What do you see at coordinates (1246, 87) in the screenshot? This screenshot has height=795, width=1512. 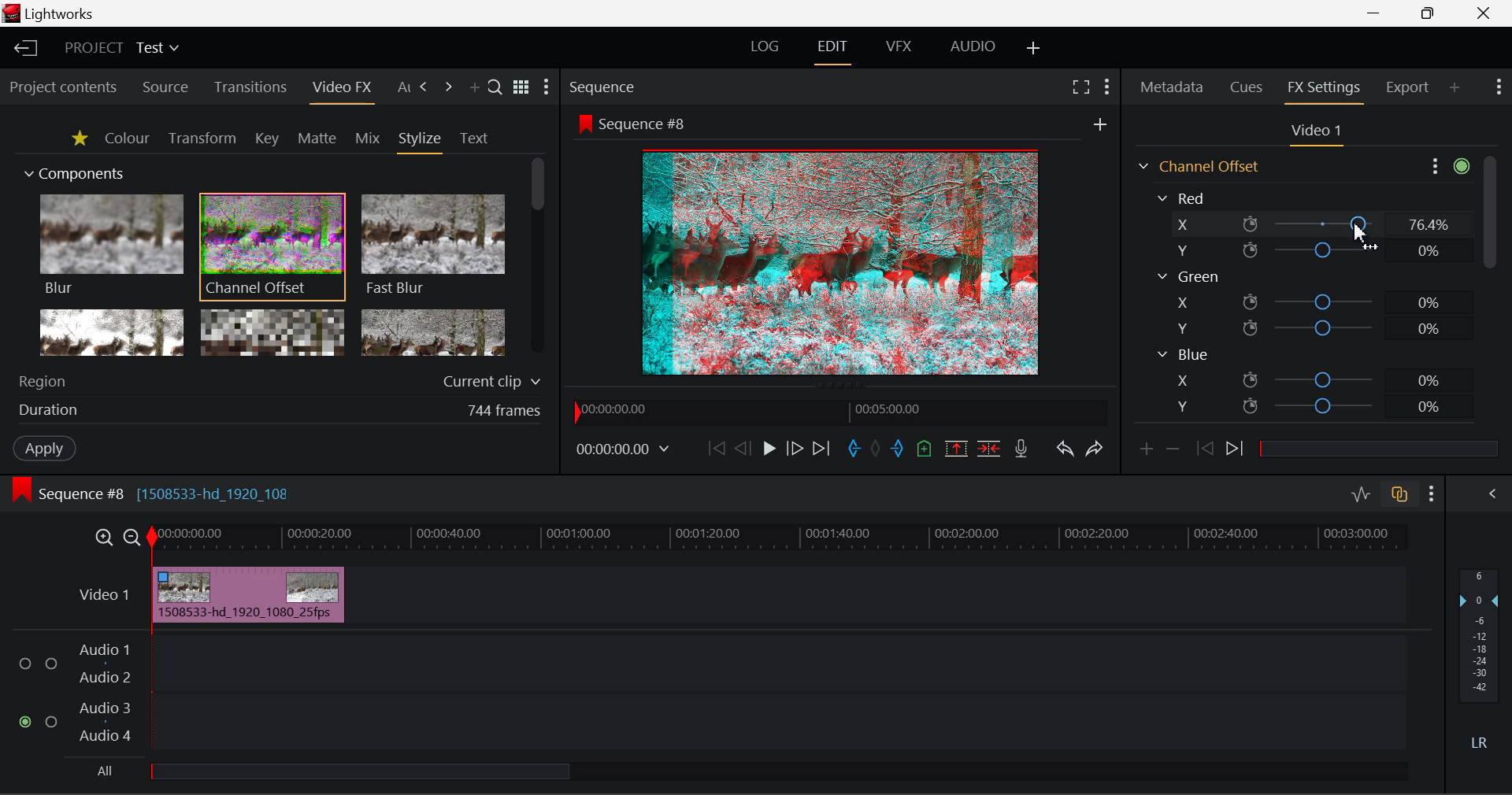 I see `Cues` at bounding box center [1246, 87].